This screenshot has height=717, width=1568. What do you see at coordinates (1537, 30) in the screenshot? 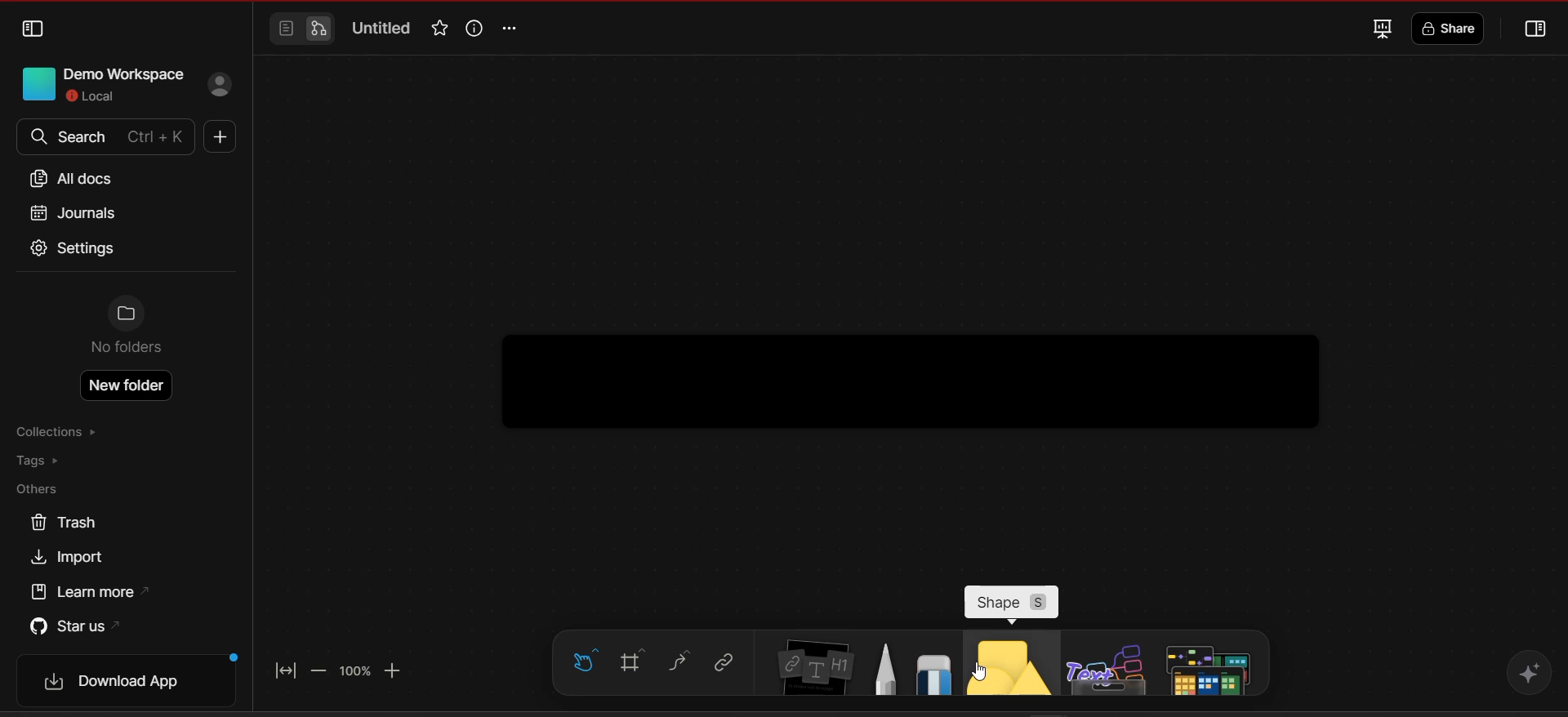
I see `collapse or open sidebar` at bounding box center [1537, 30].